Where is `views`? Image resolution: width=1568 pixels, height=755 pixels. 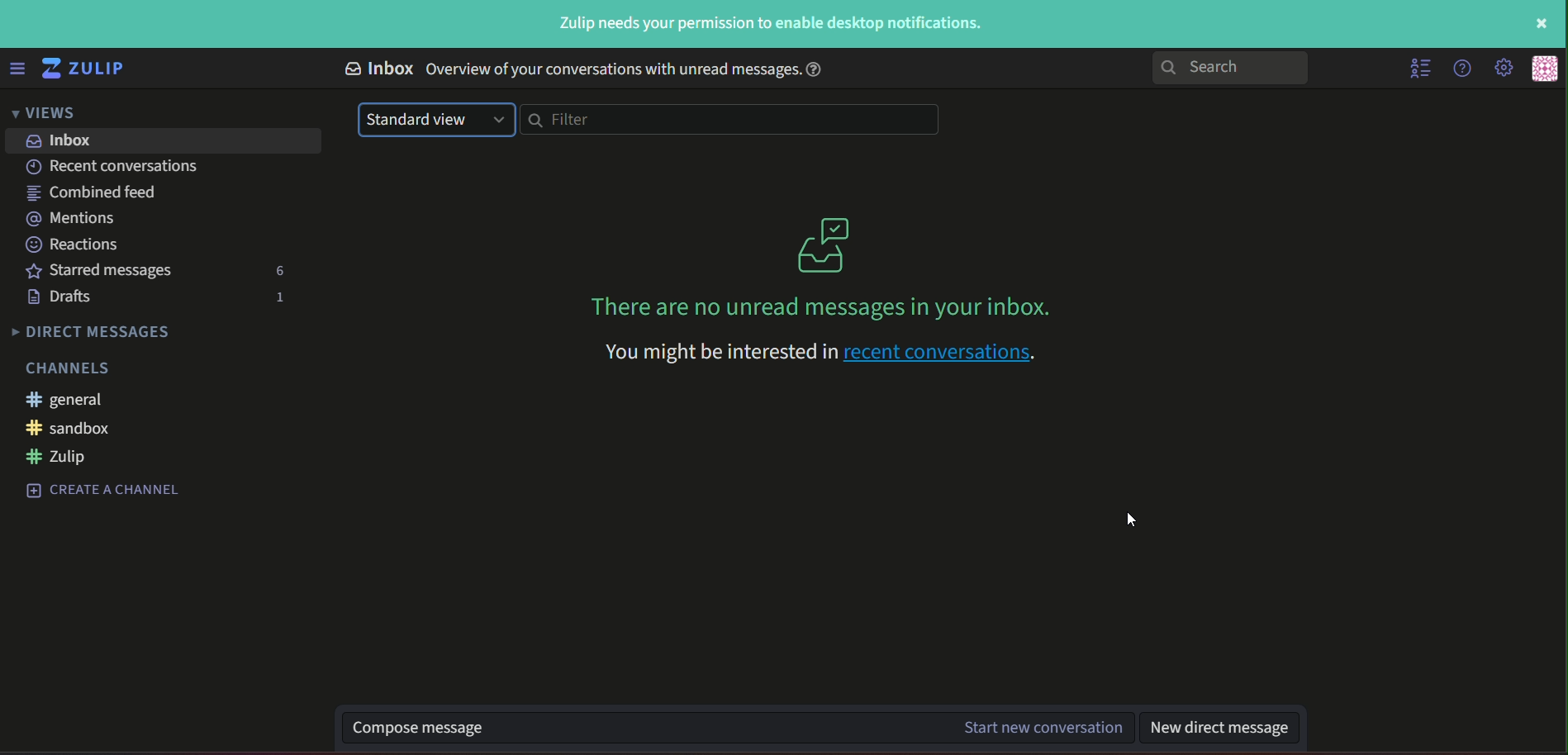
views is located at coordinates (49, 112).